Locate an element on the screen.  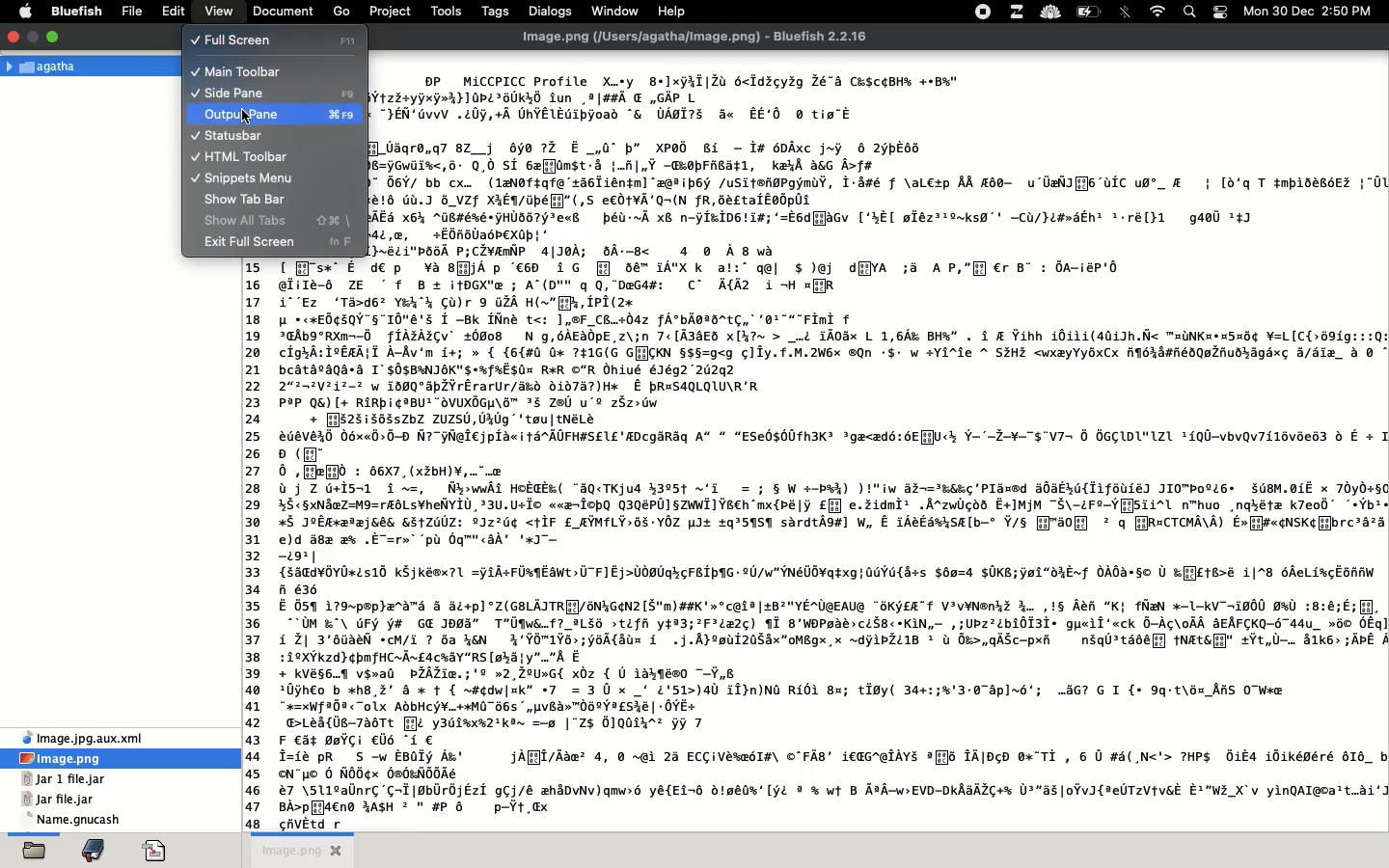
tags is located at coordinates (500, 11).